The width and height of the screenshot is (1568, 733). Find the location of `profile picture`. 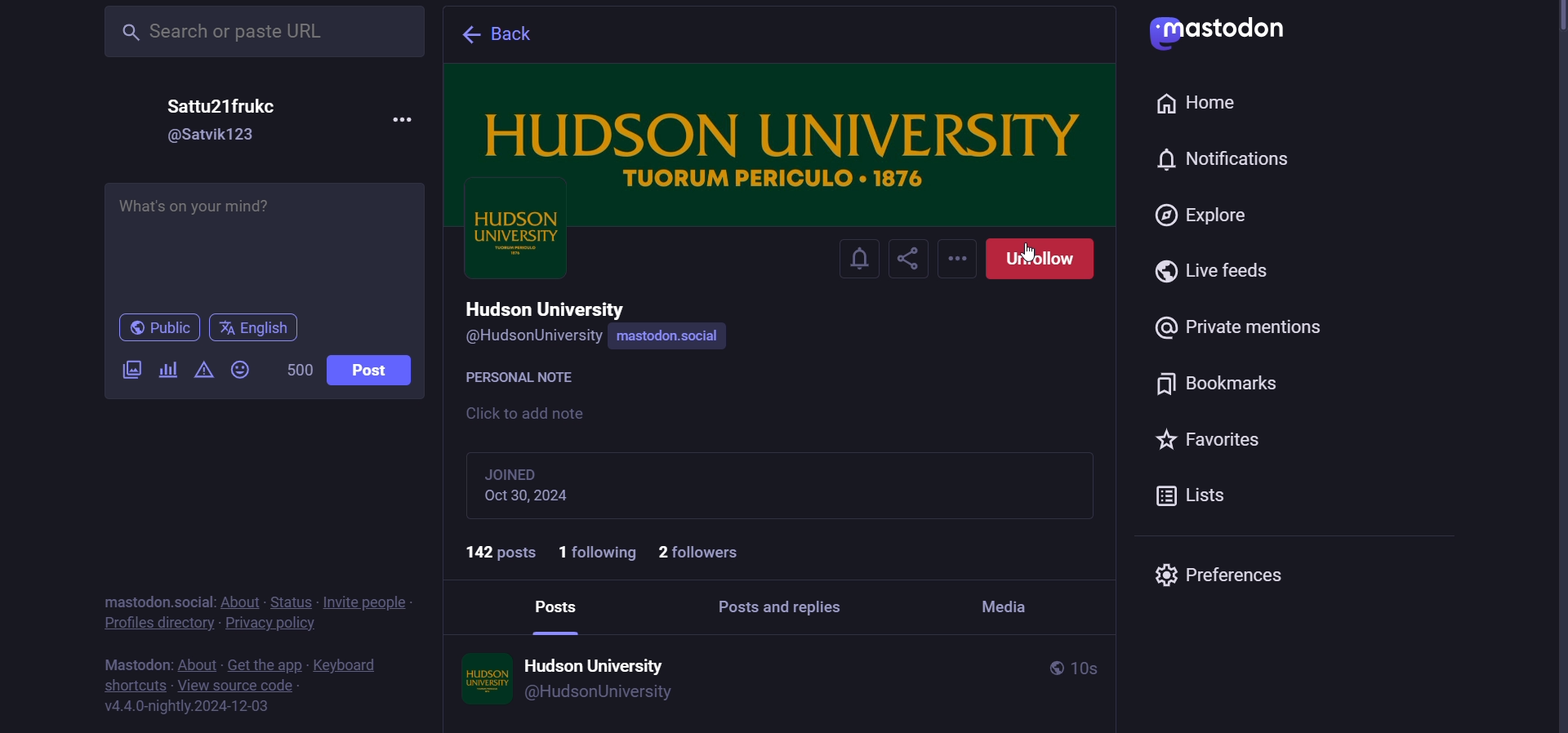

profile picture is located at coordinates (481, 677).